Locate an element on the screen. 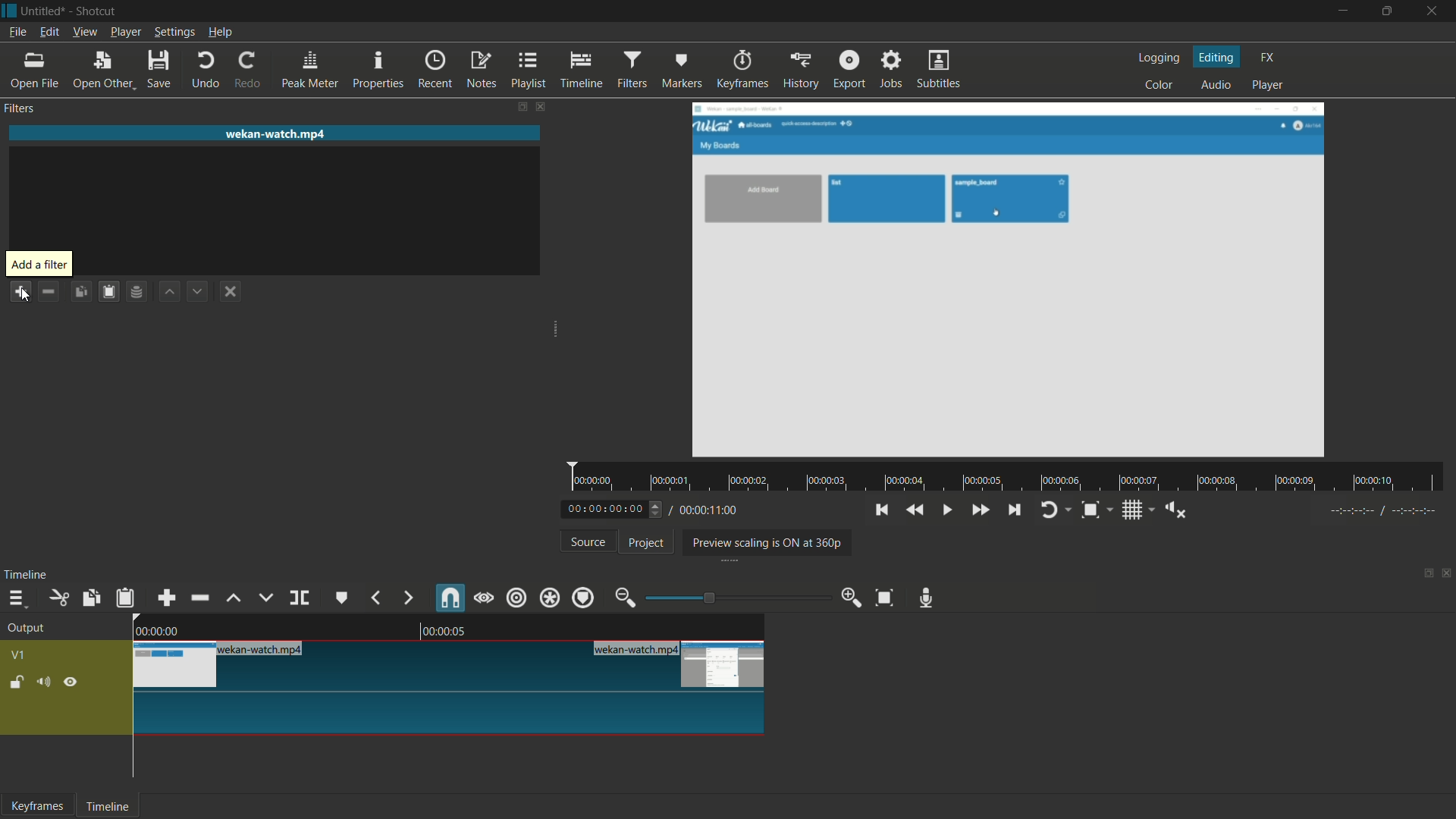 This screenshot has height=819, width=1456. skip to the next point is located at coordinates (1015, 509).